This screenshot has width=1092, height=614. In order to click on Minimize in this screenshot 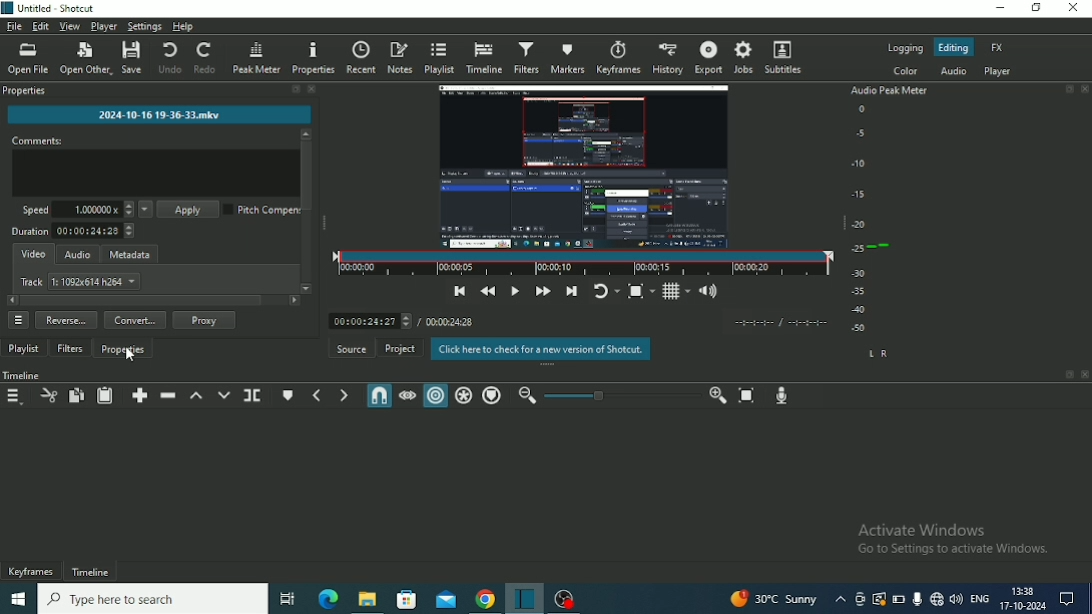, I will do `click(998, 8)`.